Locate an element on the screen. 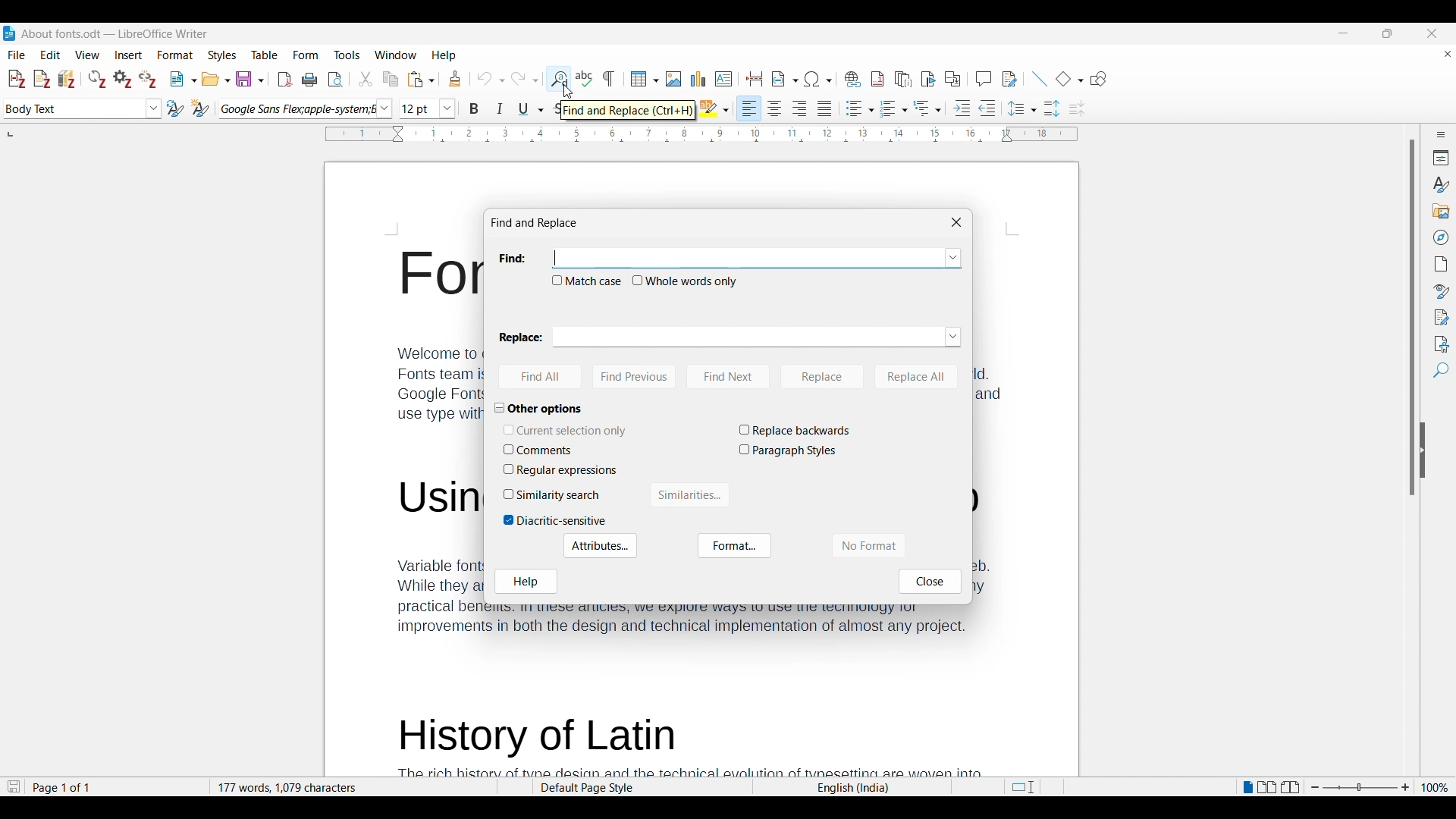 This screenshot has height=819, width=1456. Find Next is located at coordinates (727, 377).